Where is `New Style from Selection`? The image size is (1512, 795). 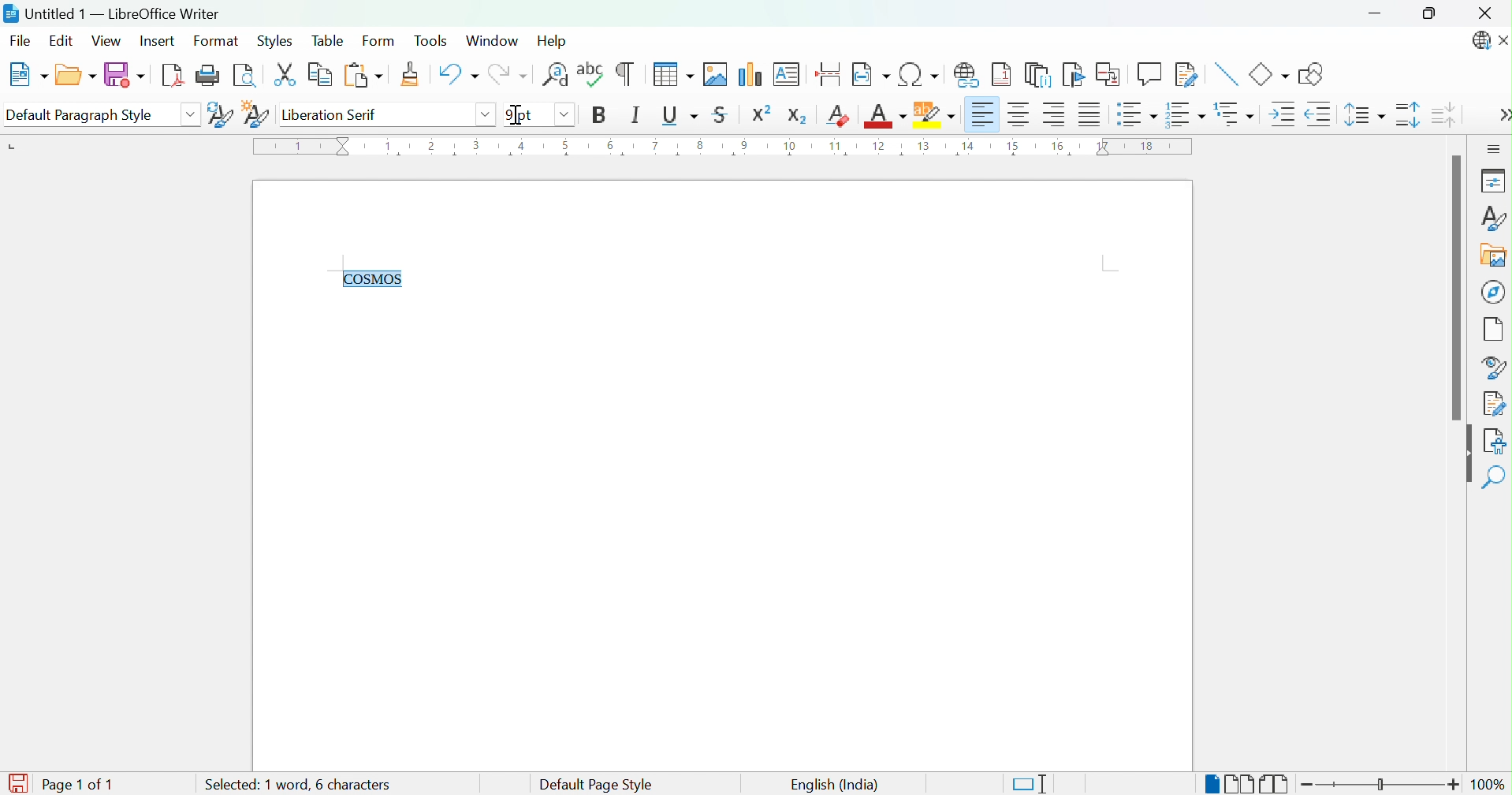
New Style from Selection is located at coordinates (255, 113).